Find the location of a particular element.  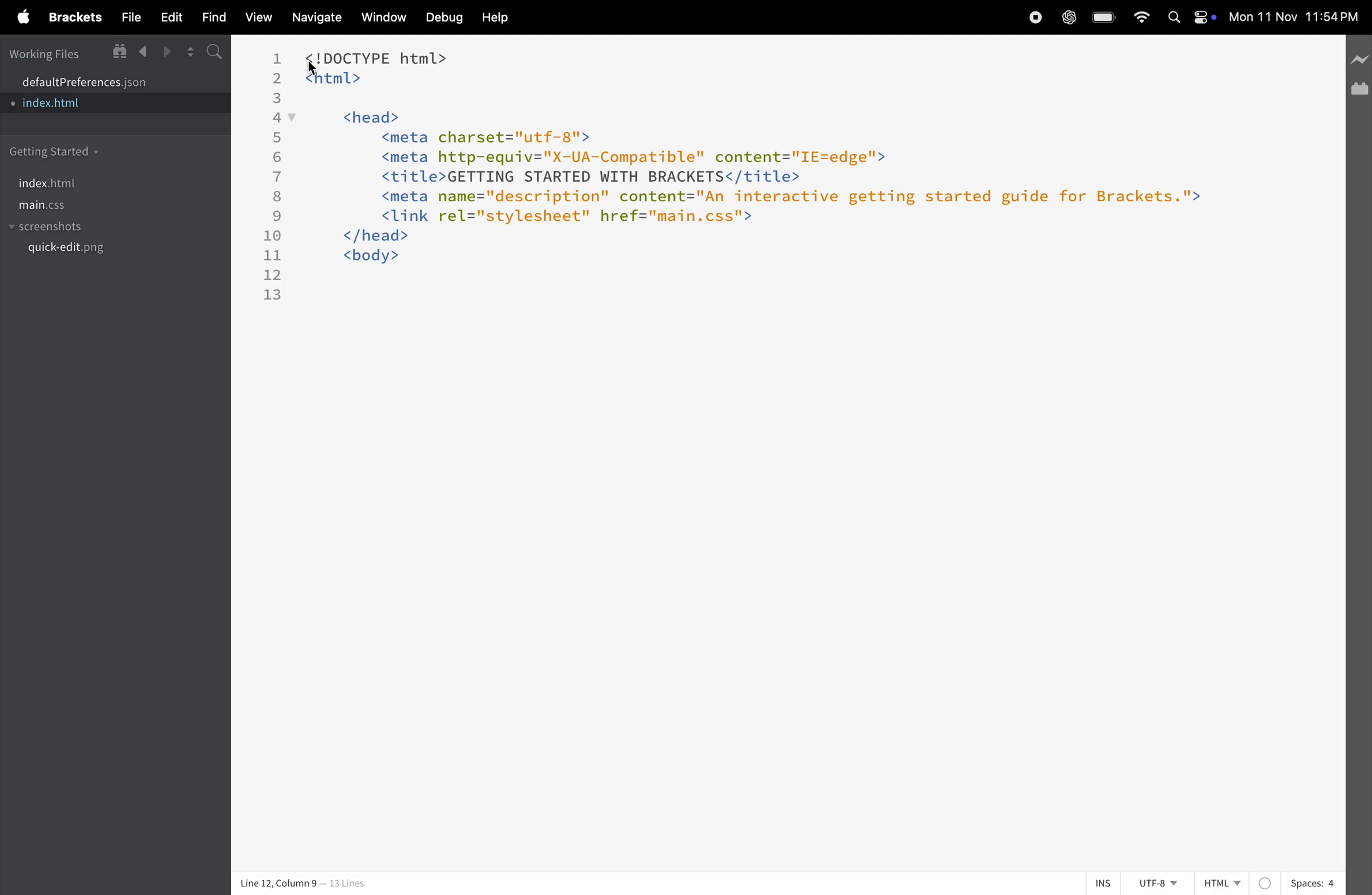

window is located at coordinates (383, 18).